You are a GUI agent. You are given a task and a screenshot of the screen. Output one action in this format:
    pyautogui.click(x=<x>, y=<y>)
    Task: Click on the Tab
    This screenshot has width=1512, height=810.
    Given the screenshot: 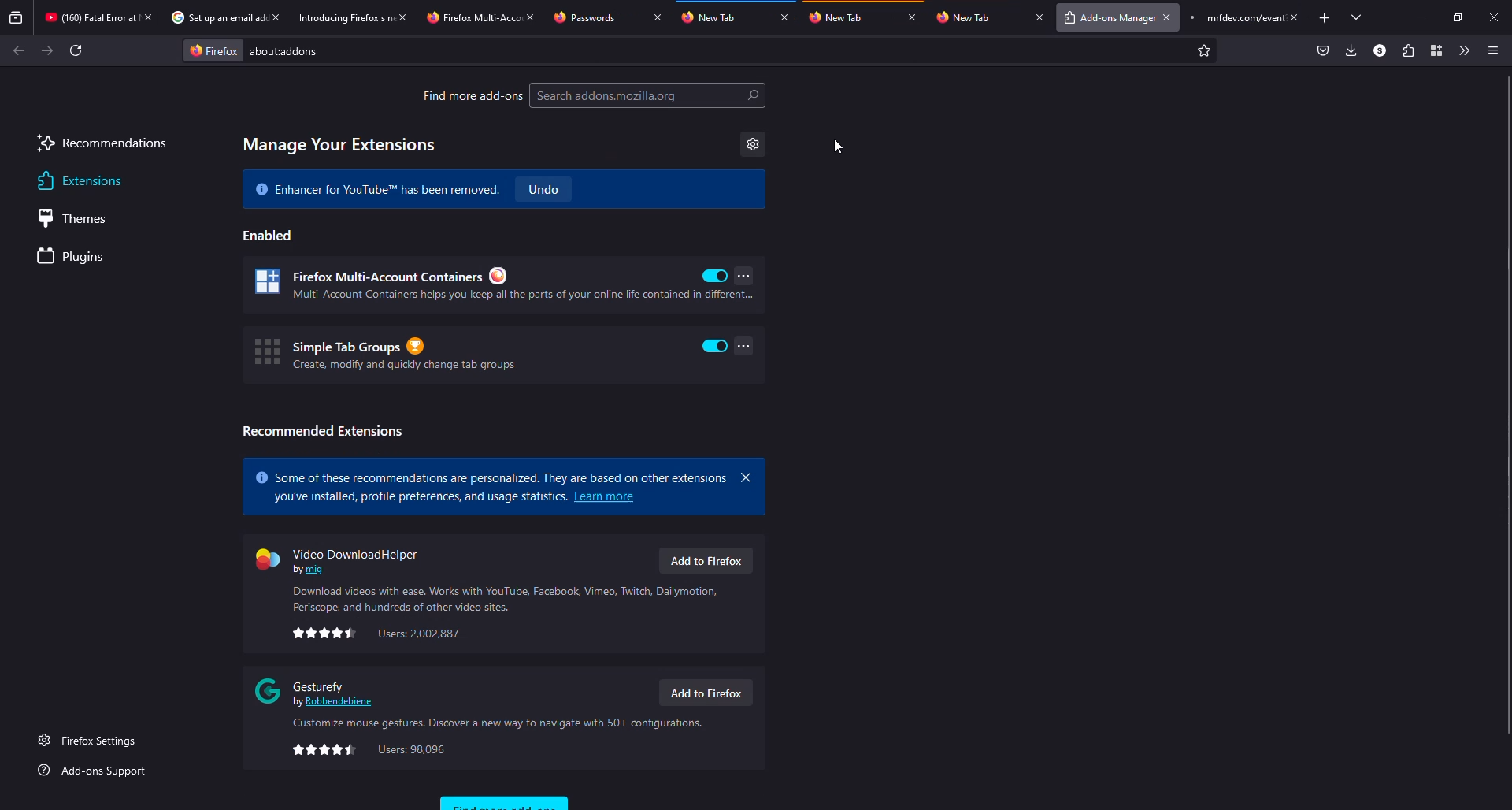 What is the action you would take?
    pyautogui.click(x=89, y=17)
    